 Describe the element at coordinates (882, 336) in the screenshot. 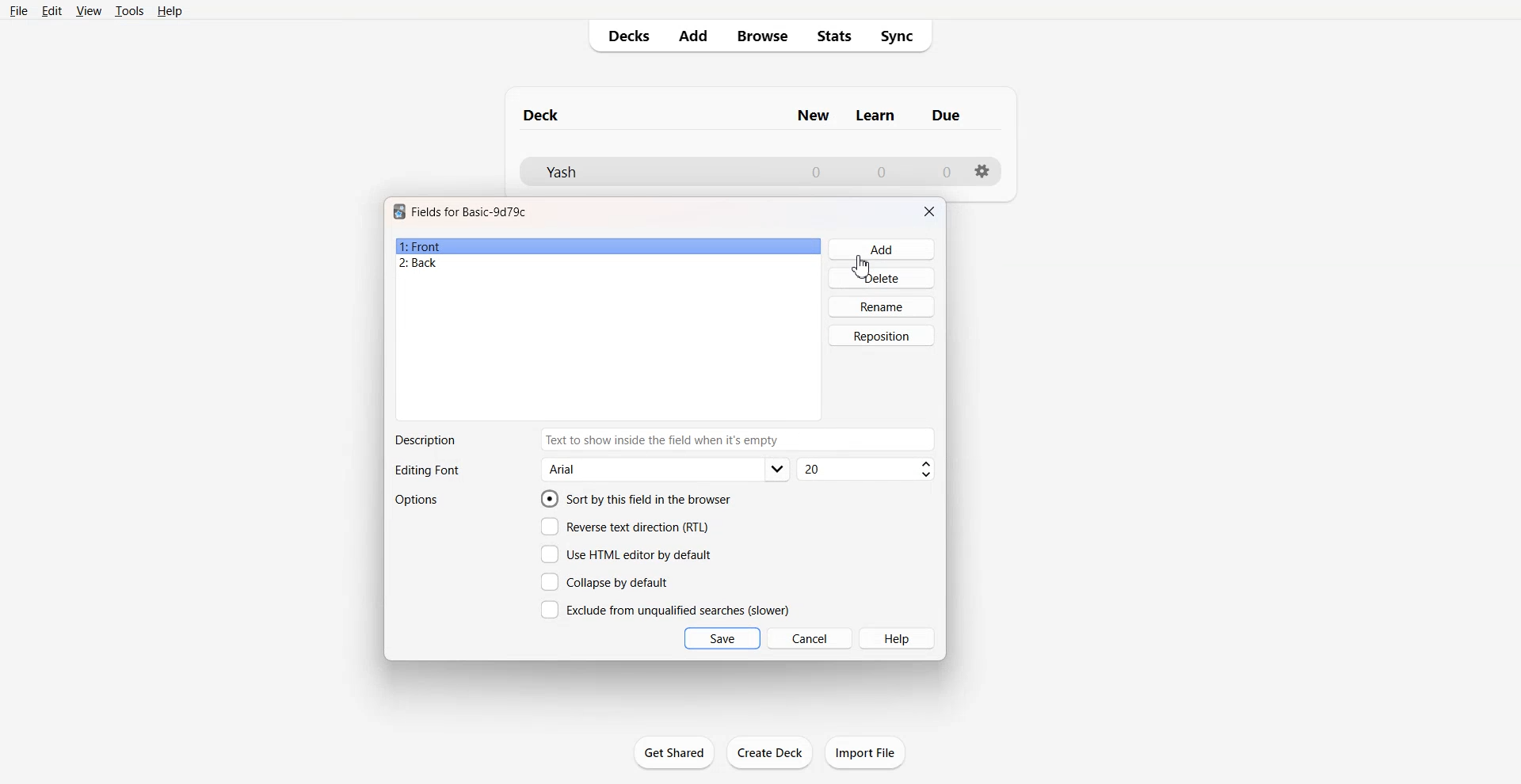

I see `Reposition` at that location.